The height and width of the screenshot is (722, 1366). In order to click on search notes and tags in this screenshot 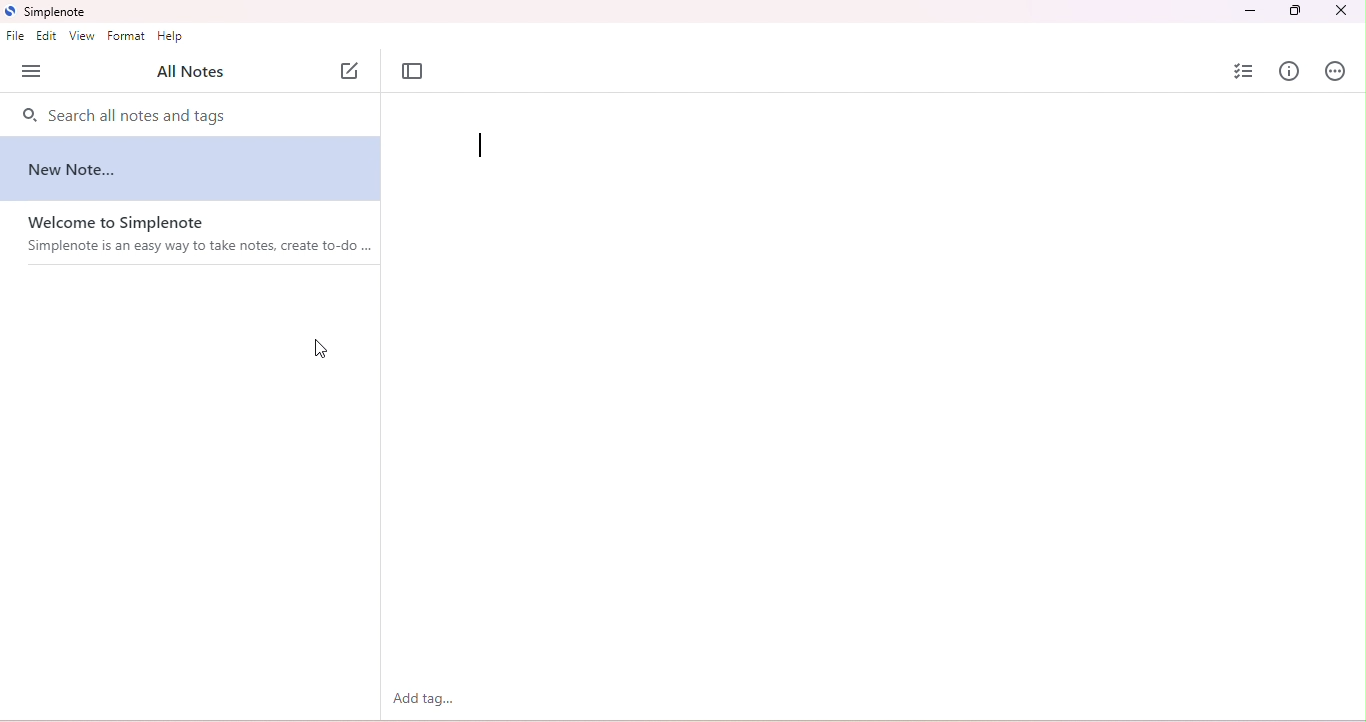, I will do `click(189, 118)`.